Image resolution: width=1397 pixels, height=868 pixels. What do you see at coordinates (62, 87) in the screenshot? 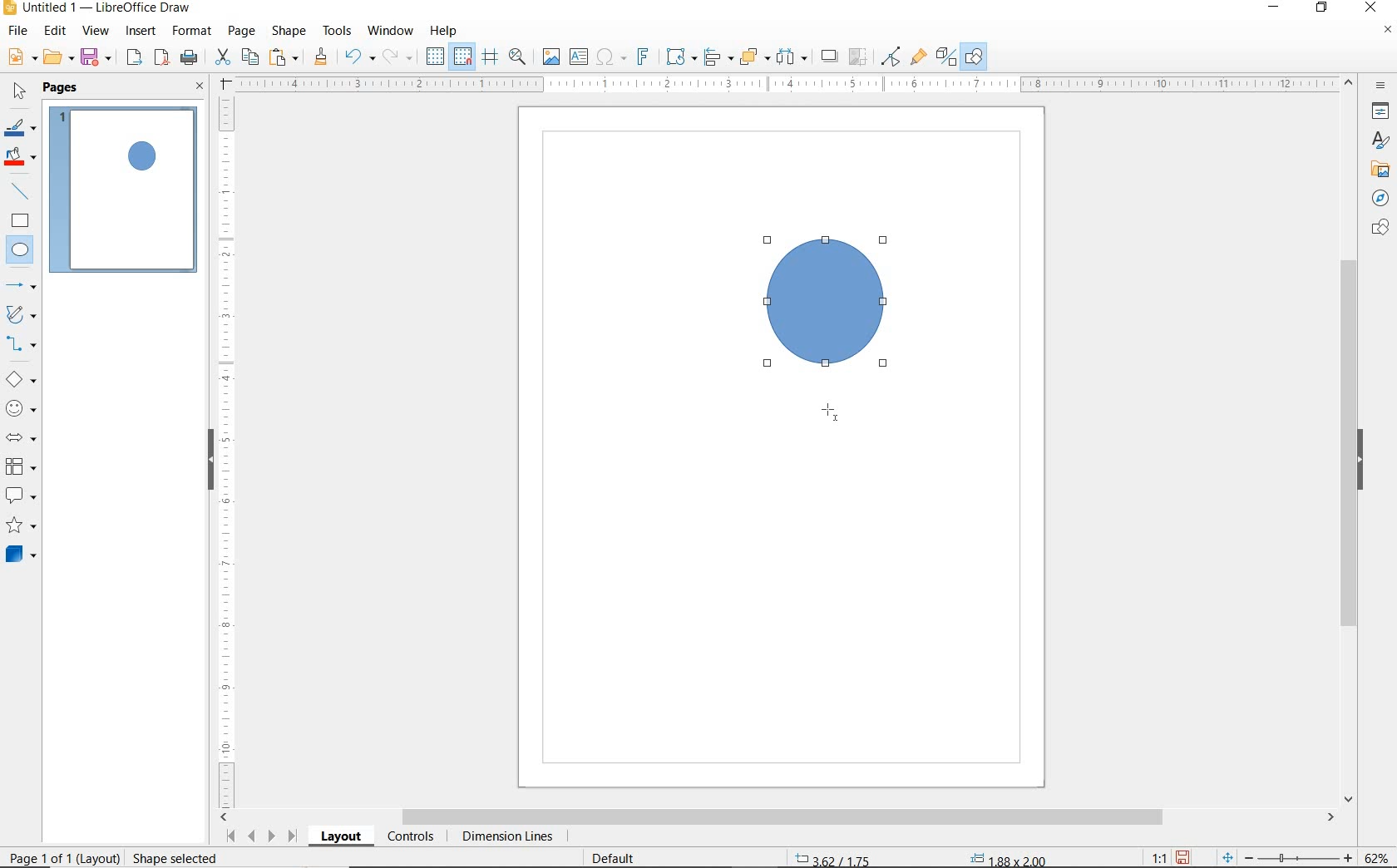
I see `PAGES` at bounding box center [62, 87].